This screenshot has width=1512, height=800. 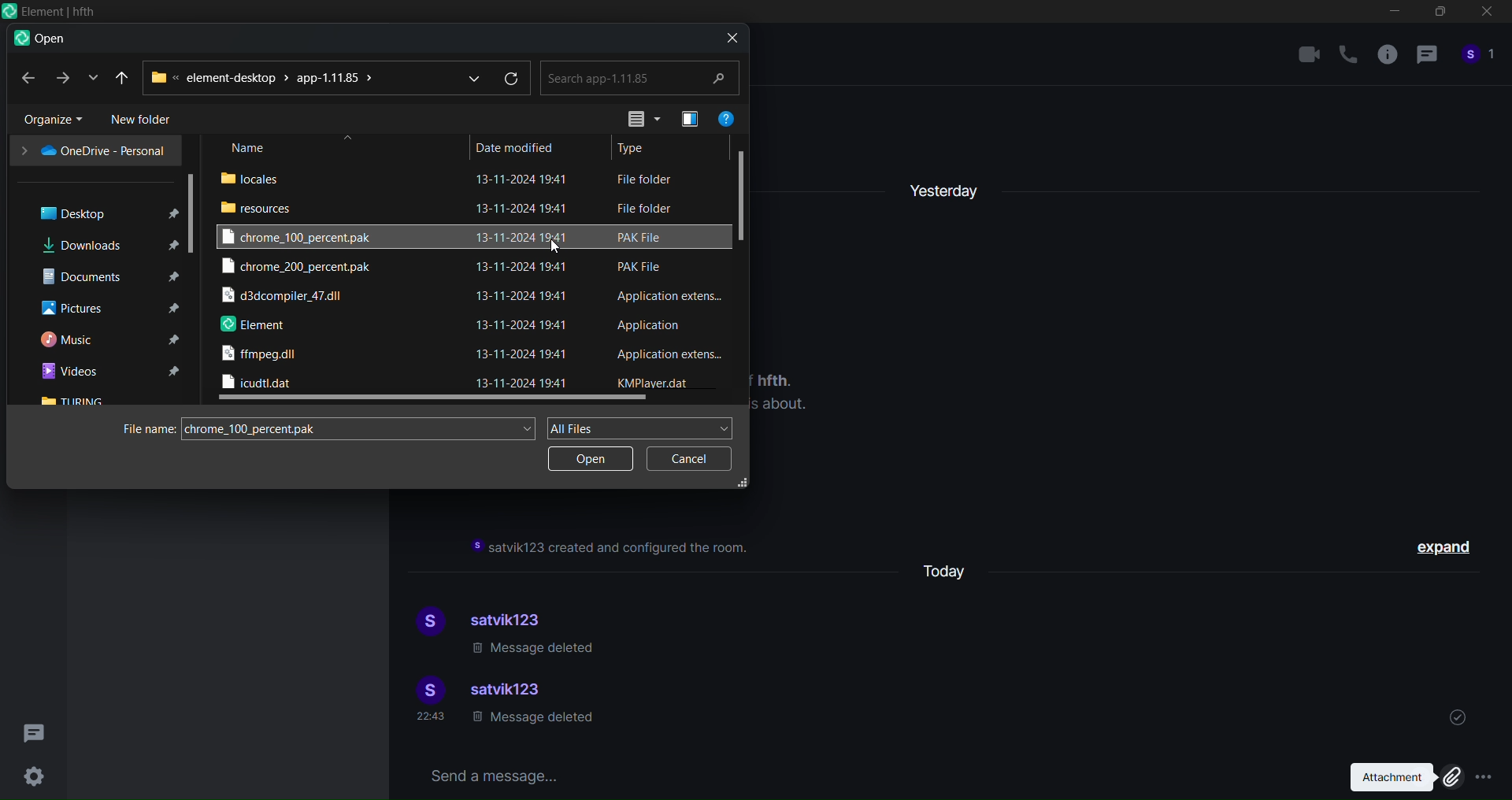 What do you see at coordinates (952, 569) in the screenshot?
I see `today` at bounding box center [952, 569].